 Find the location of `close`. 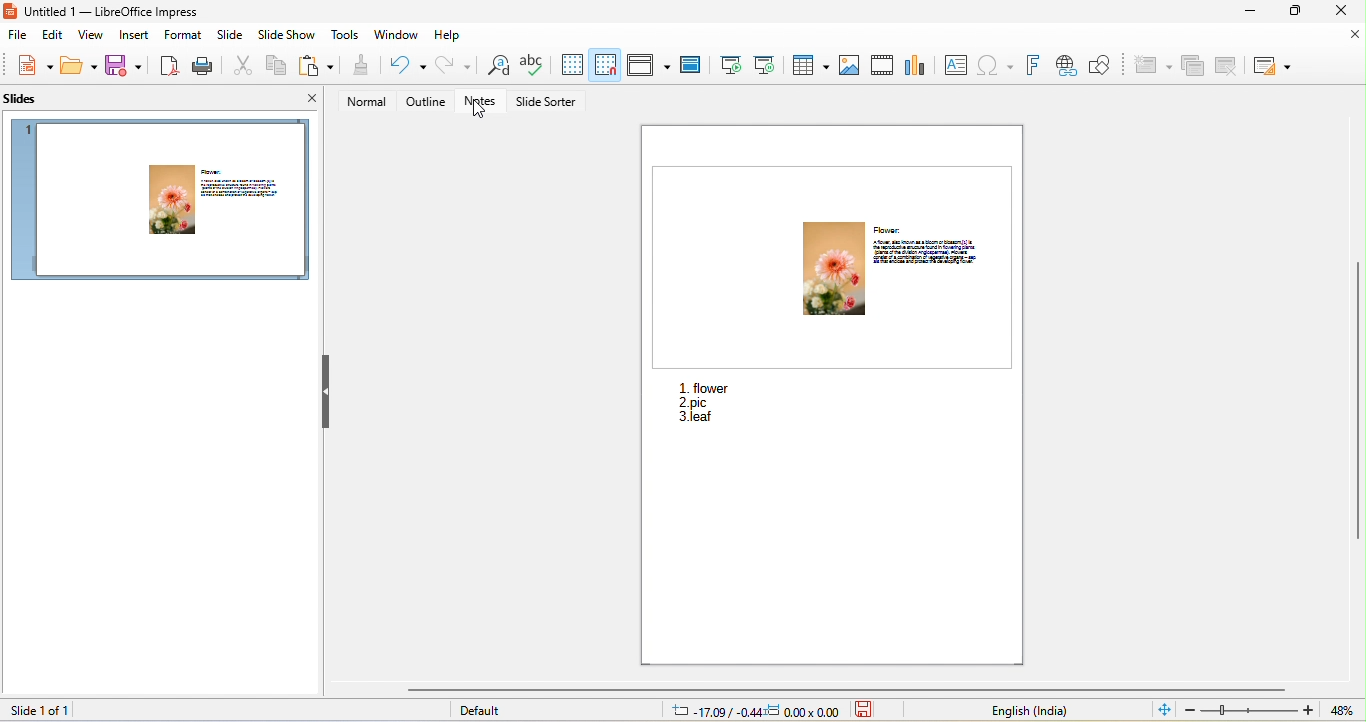

close is located at coordinates (1346, 11).